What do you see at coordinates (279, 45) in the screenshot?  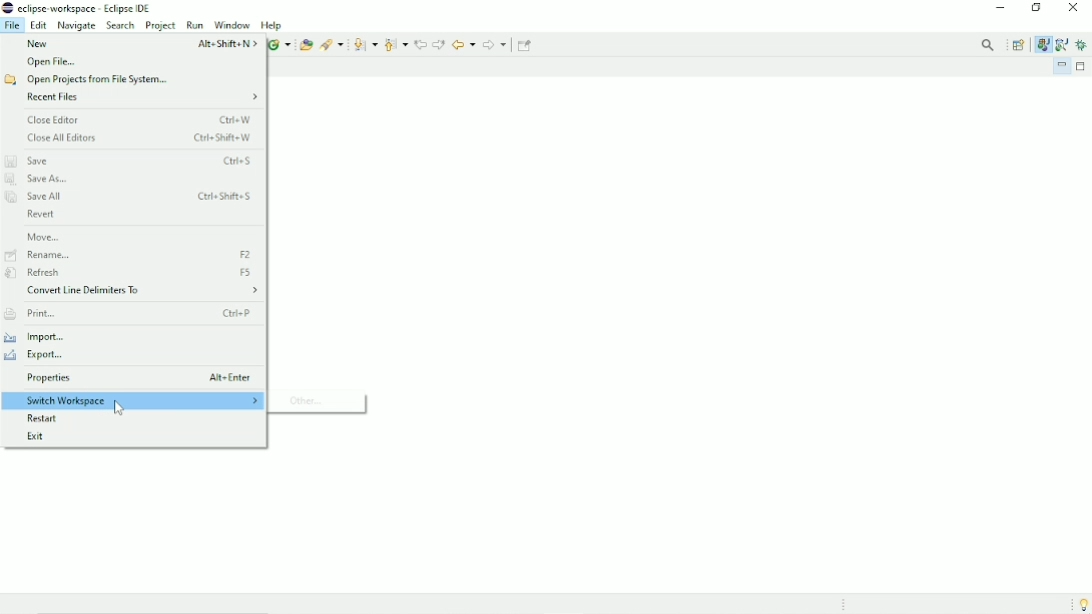 I see `New java class` at bounding box center [279, 45].